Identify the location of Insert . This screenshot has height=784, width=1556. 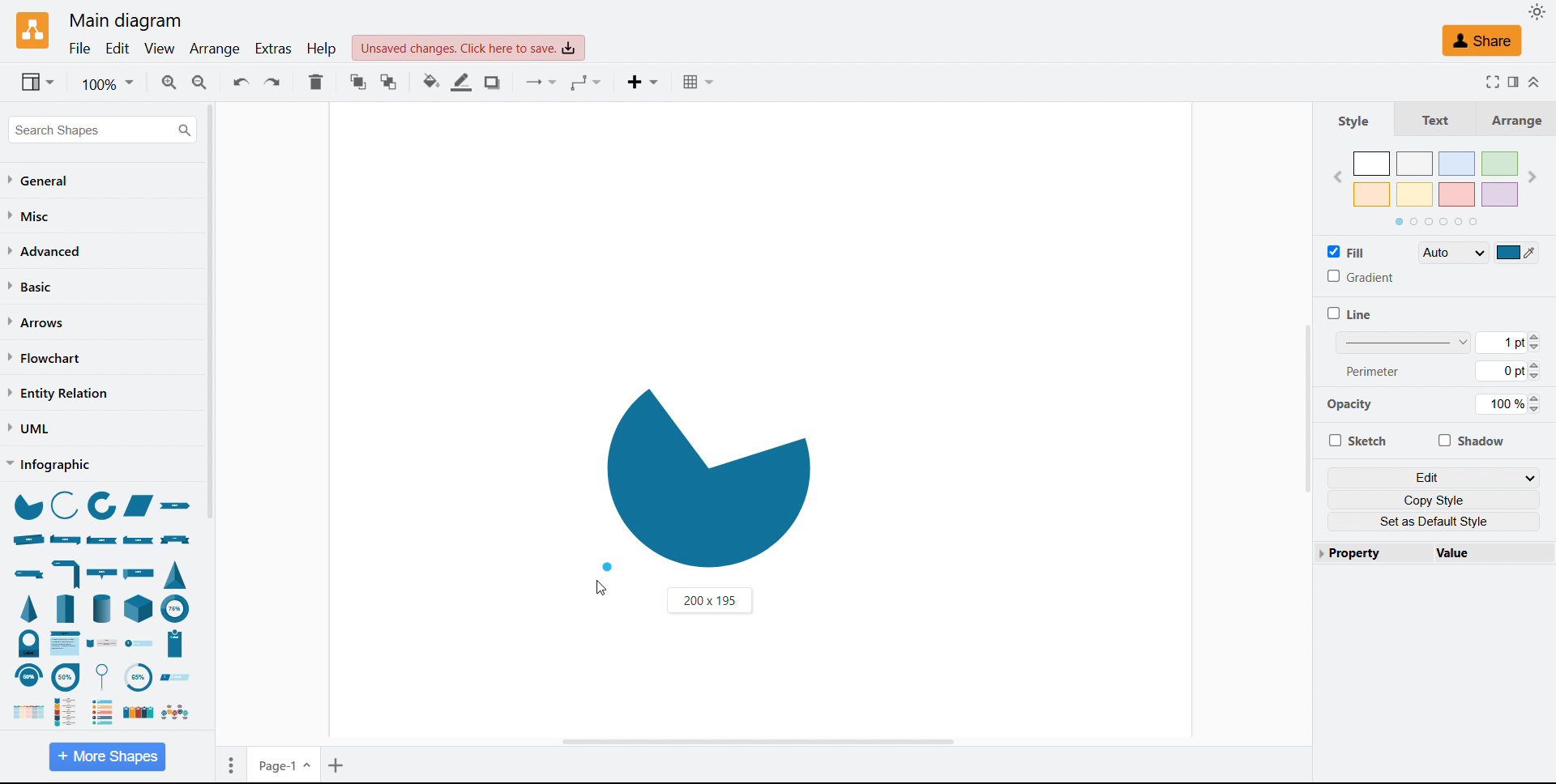
(646, 83).